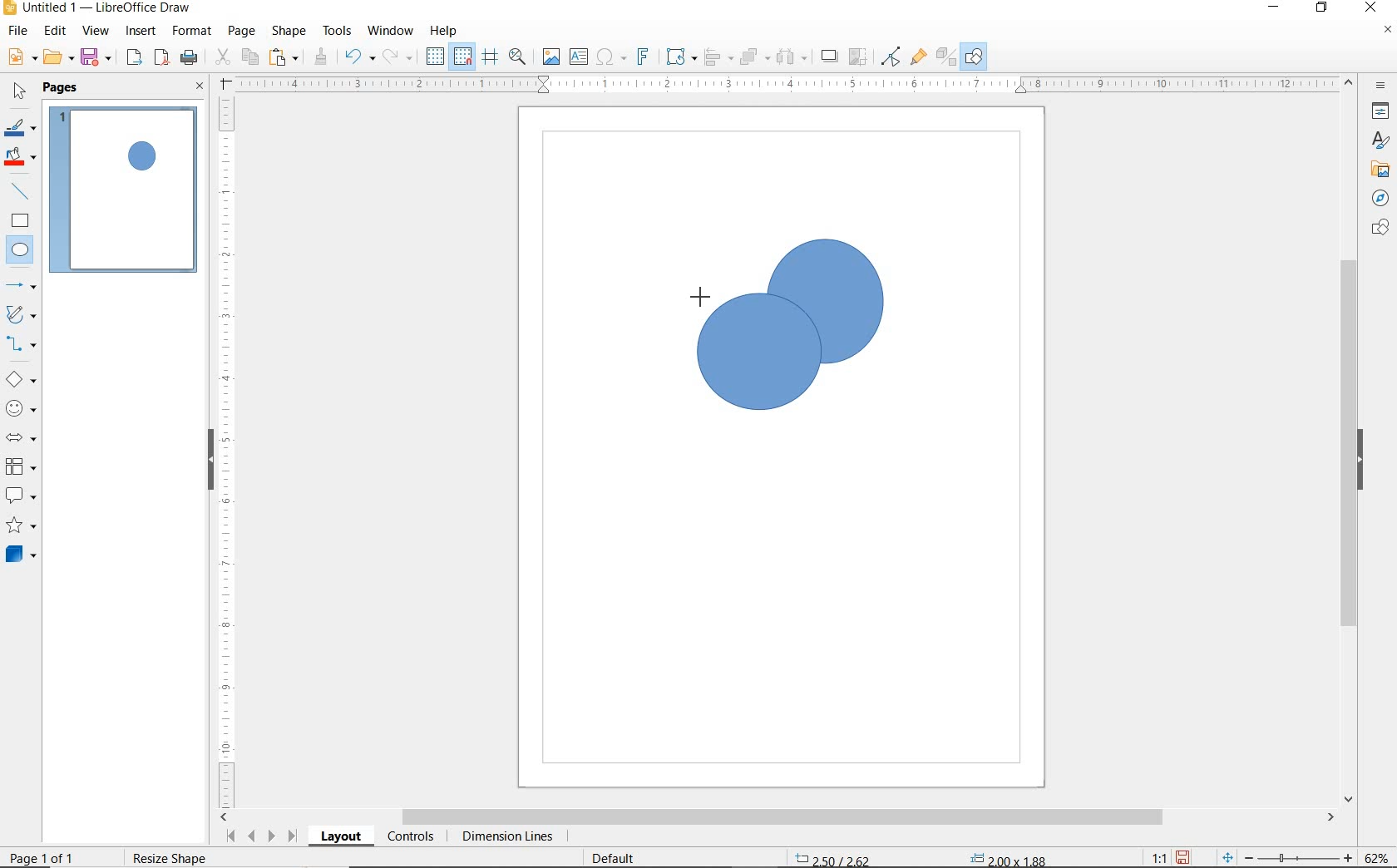  What do you see at coordinates (770, 368) in the screenshot?
I see `ELLIPSE TOOL` at bounding box center [770, 368].